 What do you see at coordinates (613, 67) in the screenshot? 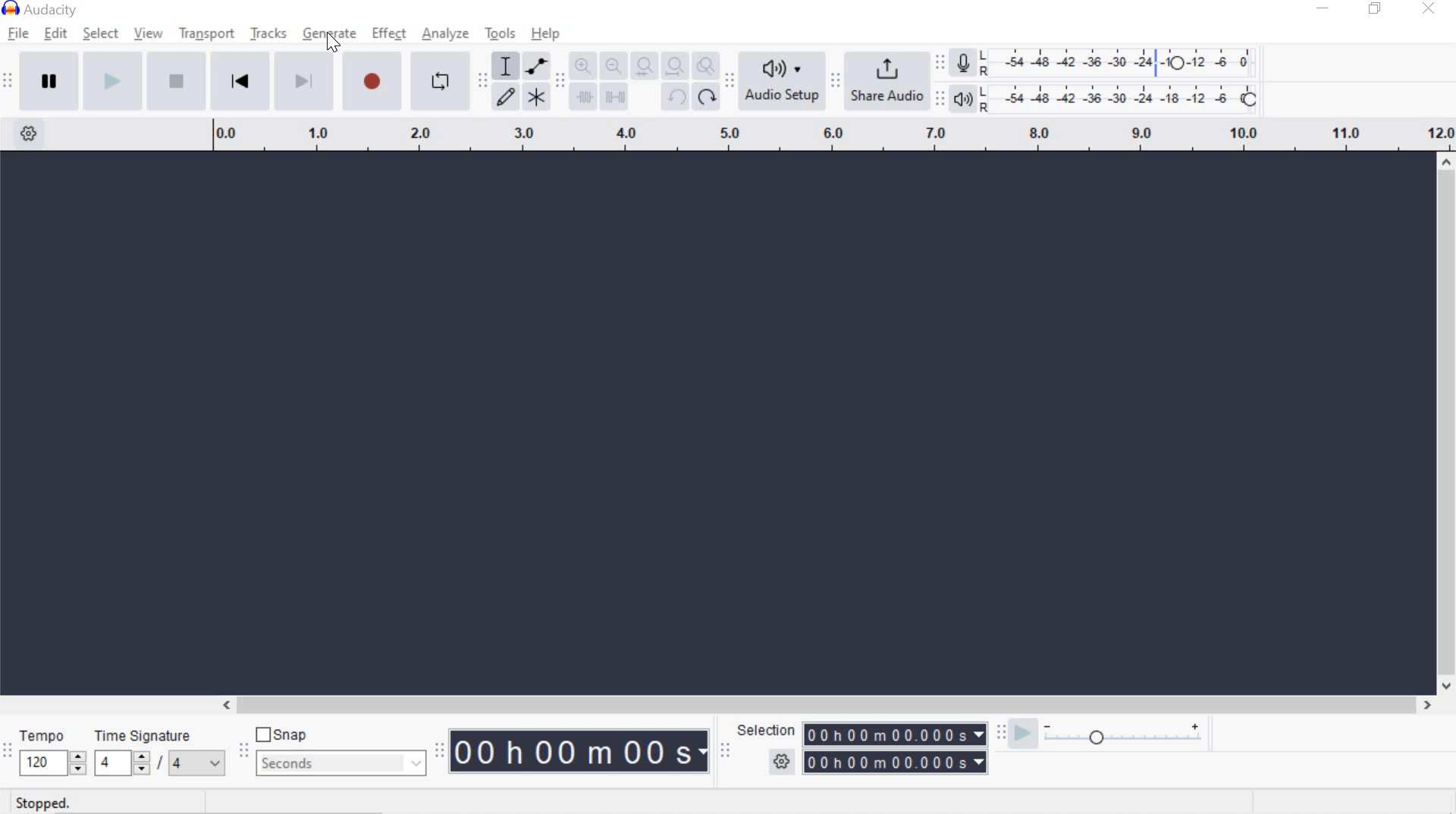
I see `Zoom Out` at bounding box center [613, 67].